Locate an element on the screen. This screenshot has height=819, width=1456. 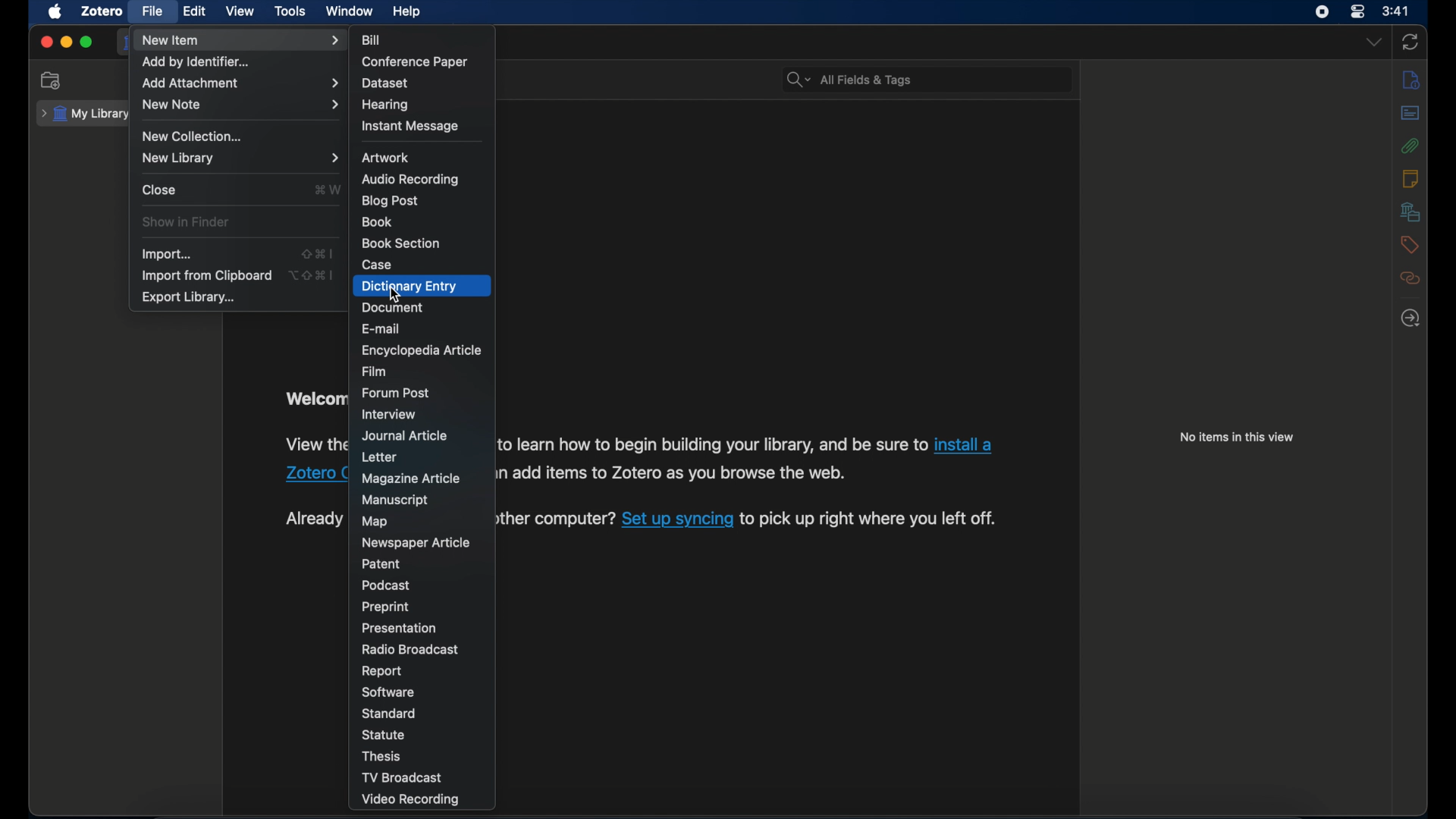
installation instruction is located at coordinates (313, 444).